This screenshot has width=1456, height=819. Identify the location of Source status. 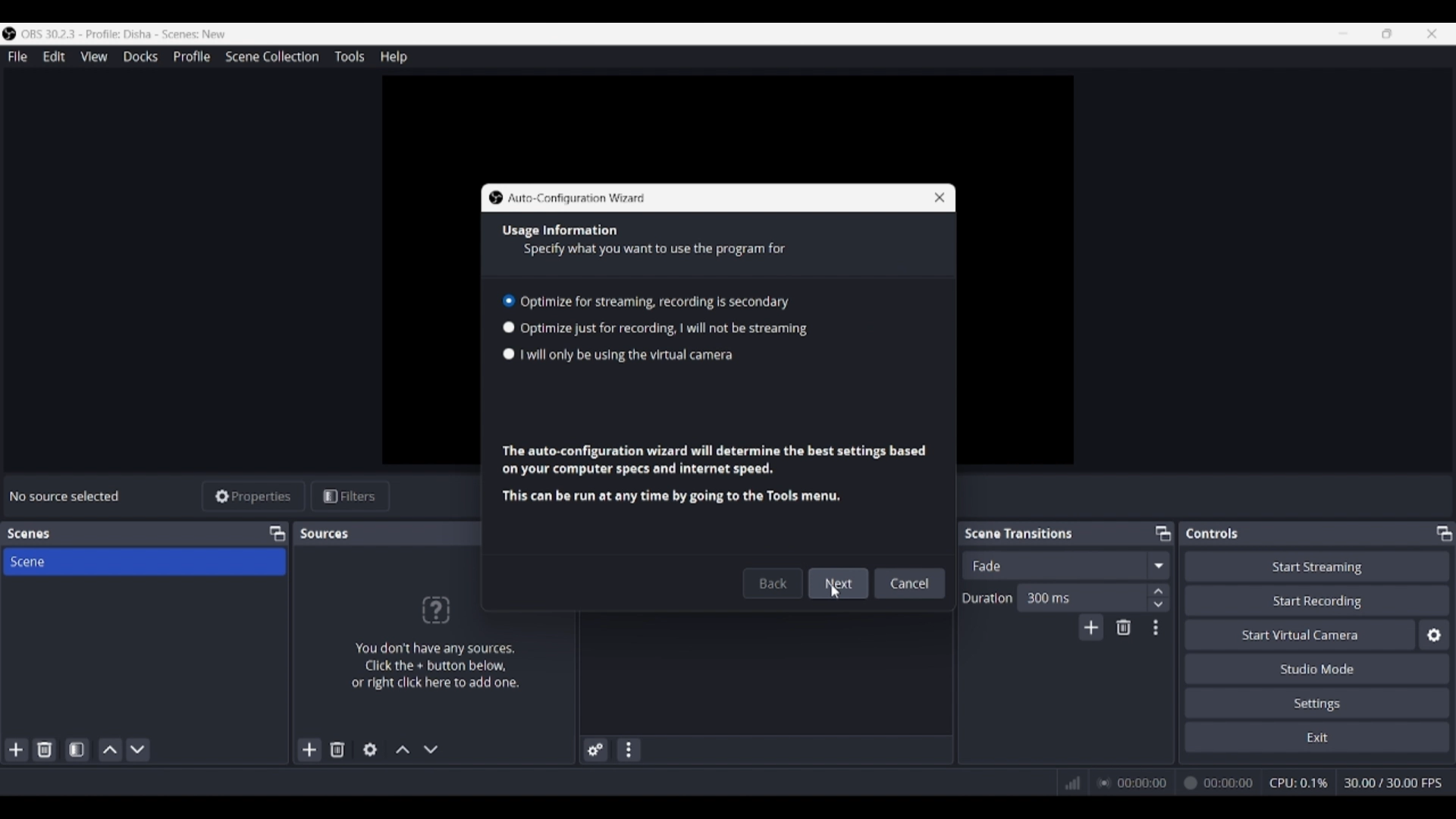
(67, 496).